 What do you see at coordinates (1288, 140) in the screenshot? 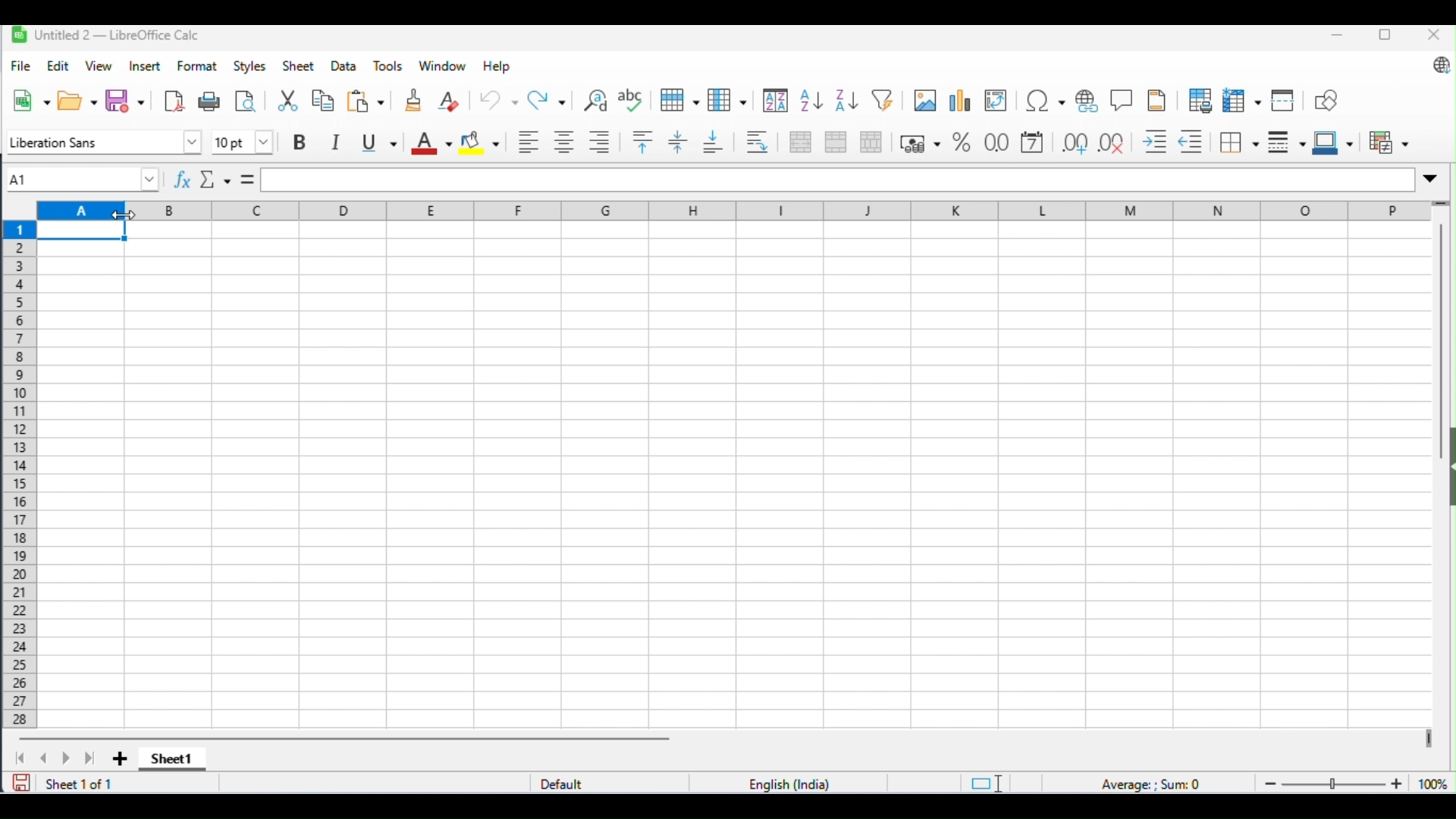
I see `border style` at bounding box center [1288, 140].